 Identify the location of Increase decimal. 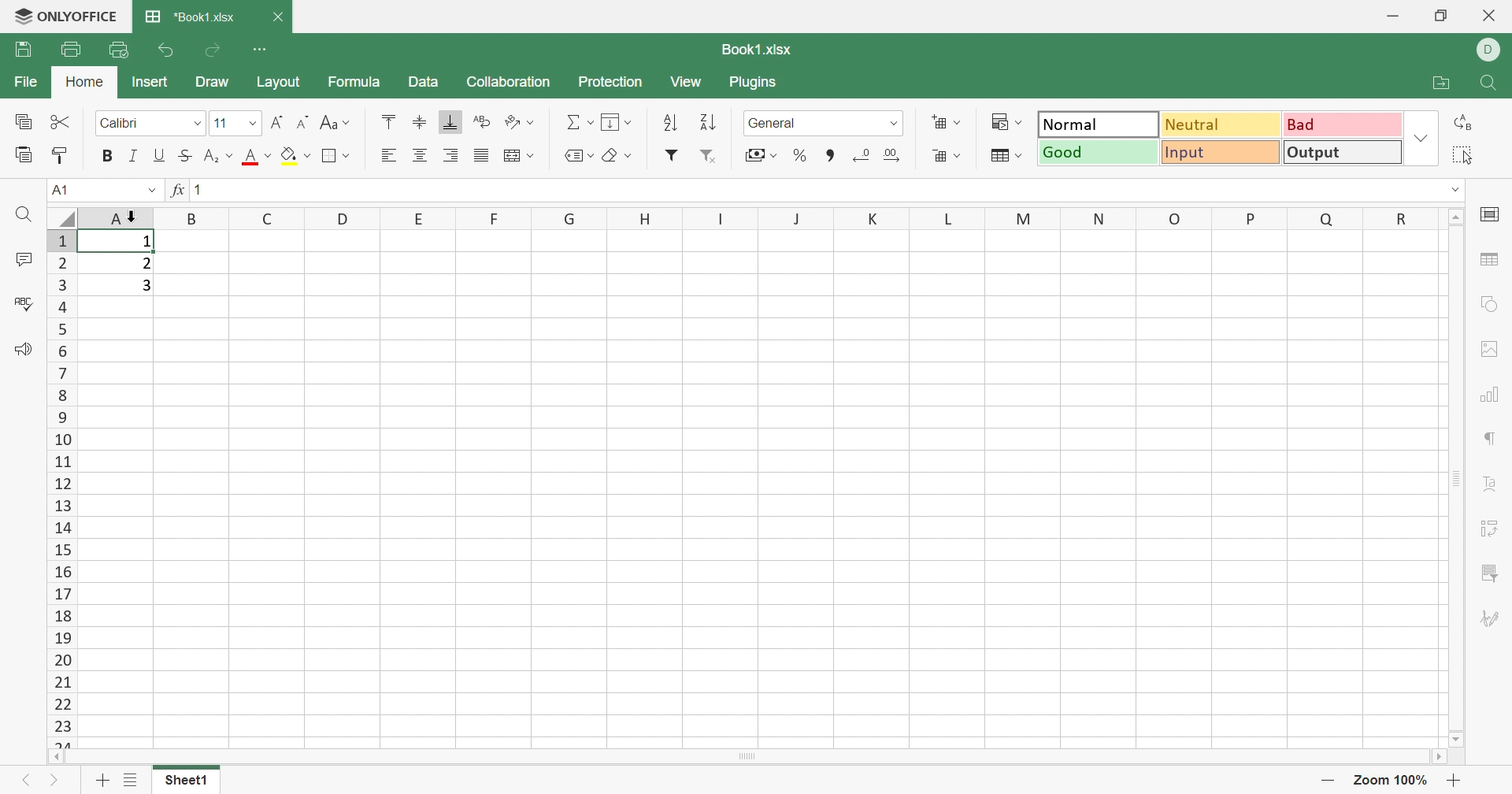
(891, 154).